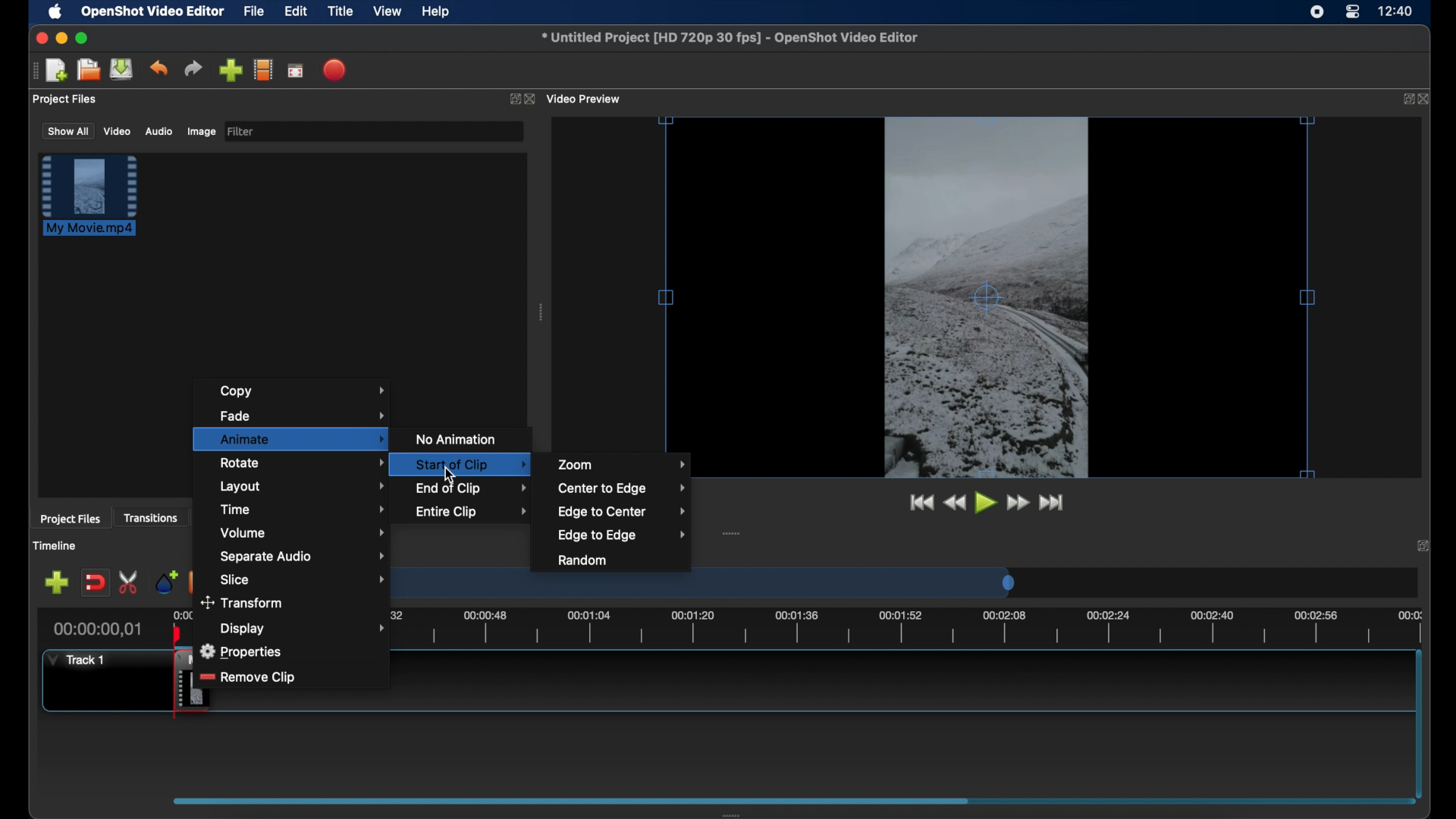  Describe the element at coordinates (83, 38) in the screenshot. I see `maximize` at that location.